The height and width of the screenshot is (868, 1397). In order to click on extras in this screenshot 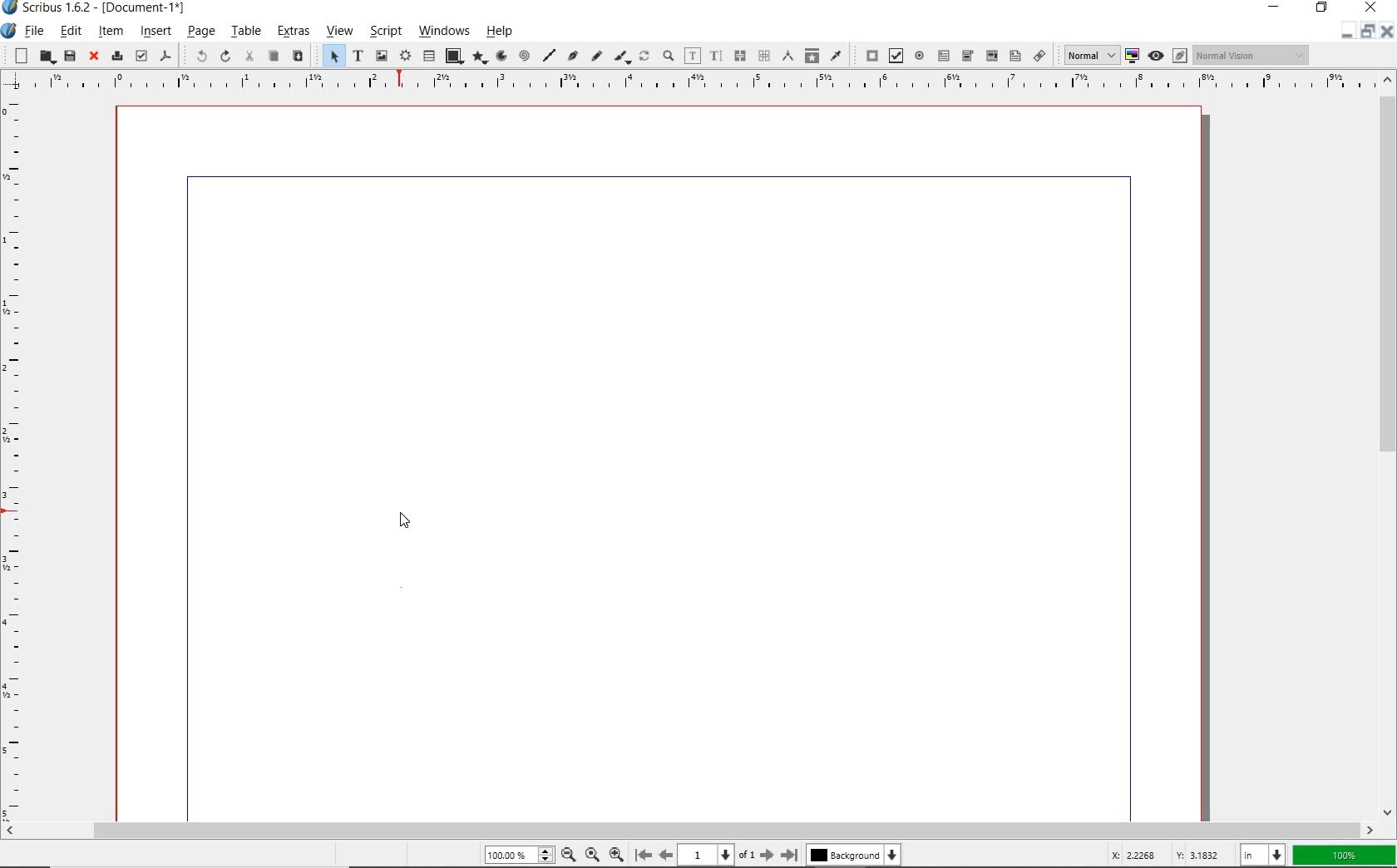, I will do `click(293, 33)`.